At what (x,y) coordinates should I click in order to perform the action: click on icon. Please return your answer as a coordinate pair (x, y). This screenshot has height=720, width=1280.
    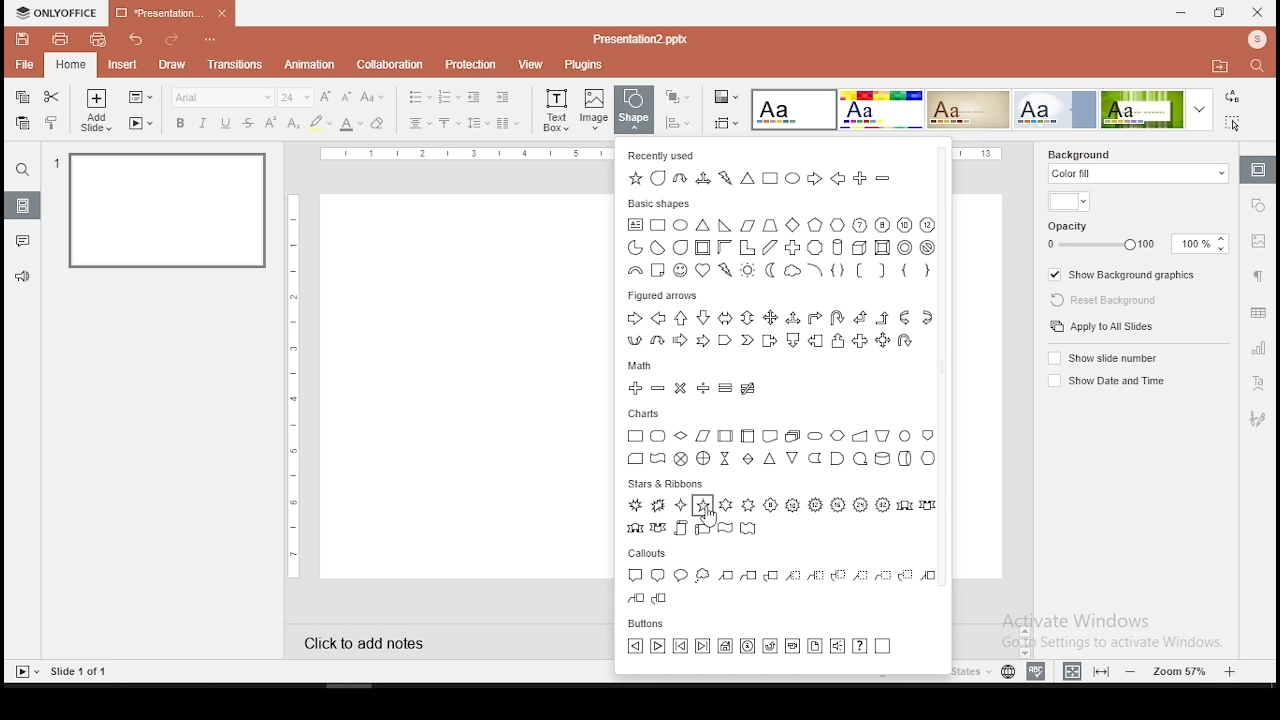
    Looking at the image, I should click on (57, 13).